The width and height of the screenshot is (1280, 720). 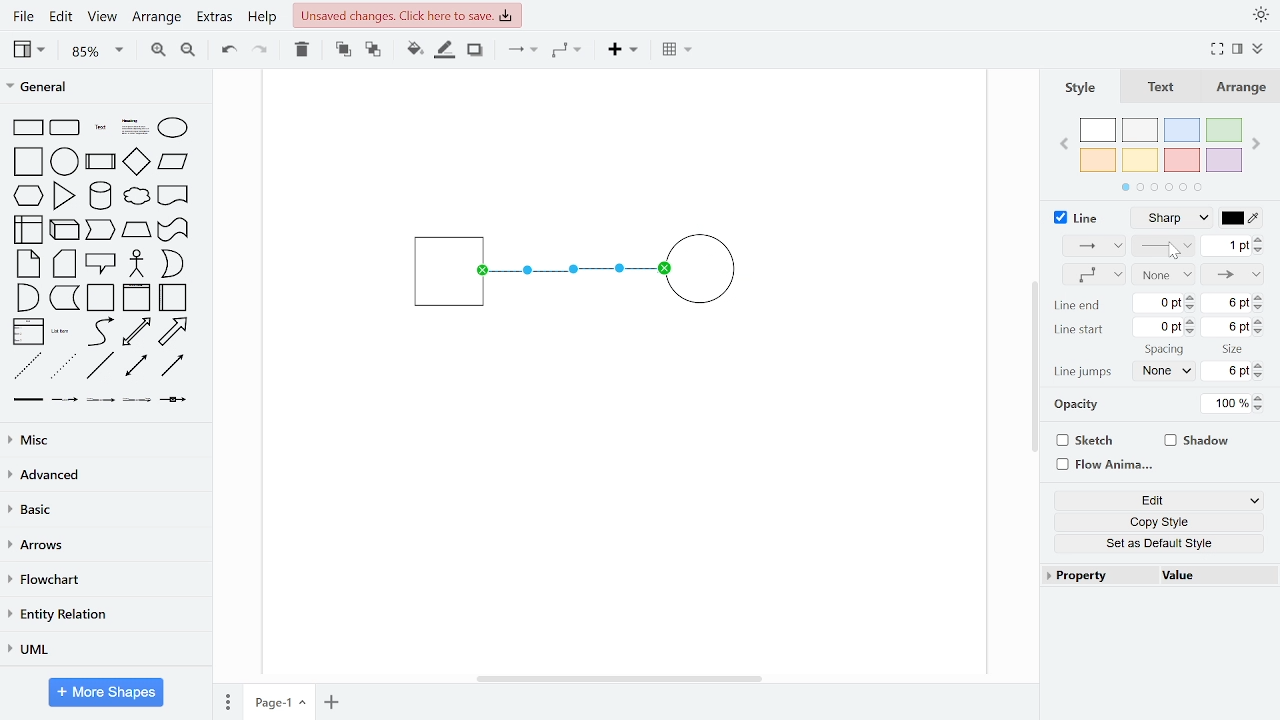 What do you see at coordinates (156, 48) in the screenshot?
I see `zoom in` at bounding box center [156, 48].